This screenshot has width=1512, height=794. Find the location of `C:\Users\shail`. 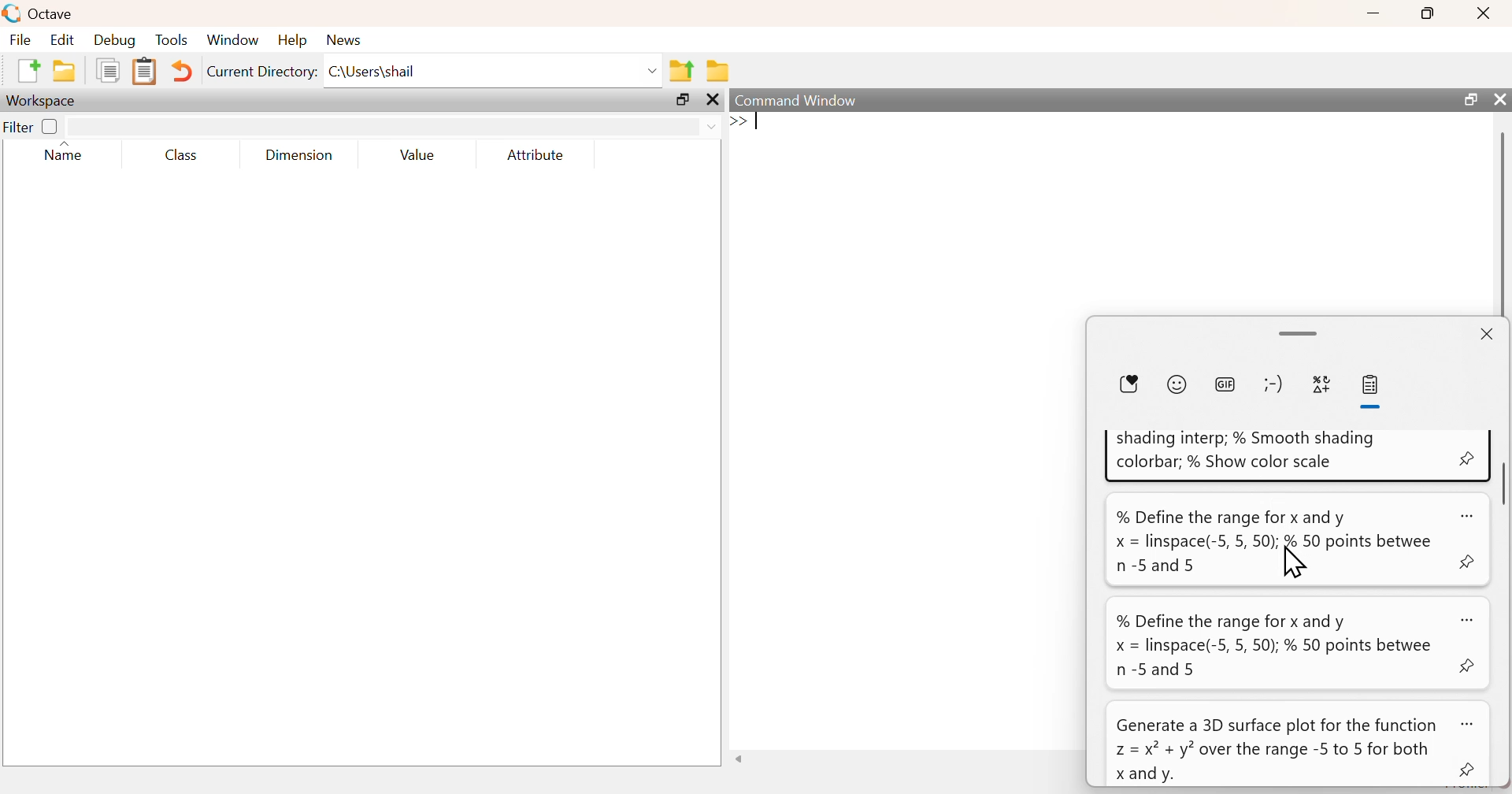

C:\Users\shail is located at coordinates (375, 72).